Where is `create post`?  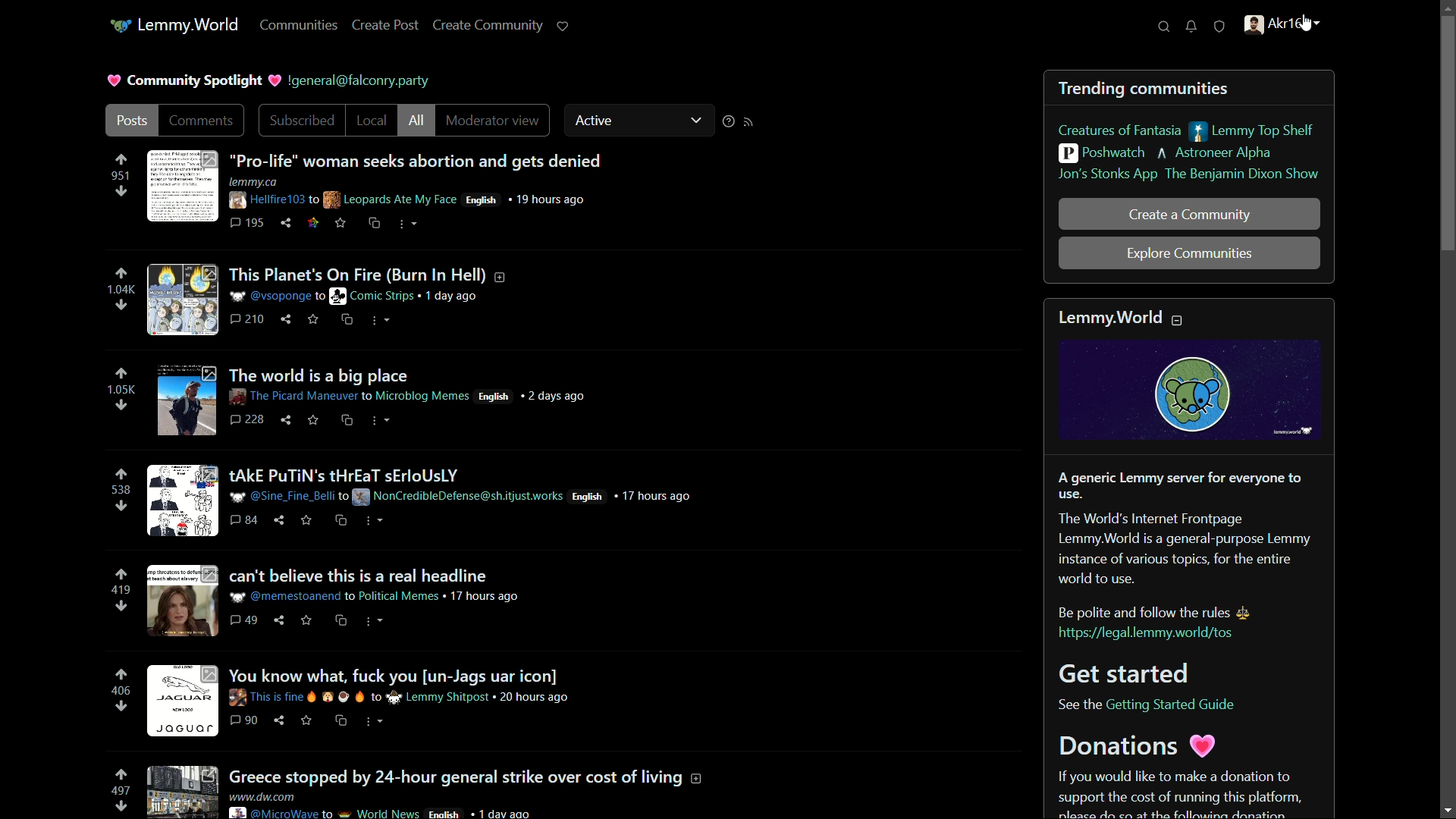
create post is located at coordinates (384, 24).